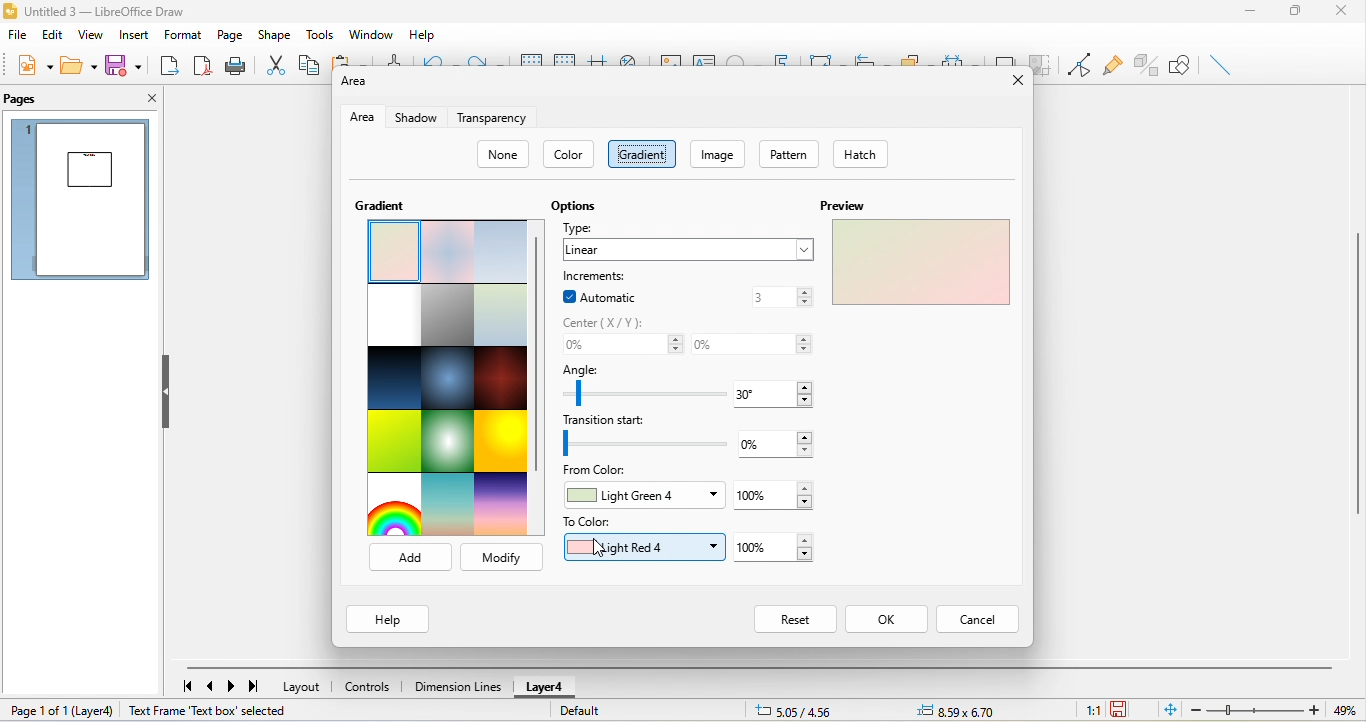  What do you see at coordinates (31, 102) in the screenshot?
I see `pages` at bounding box center [31, 102].